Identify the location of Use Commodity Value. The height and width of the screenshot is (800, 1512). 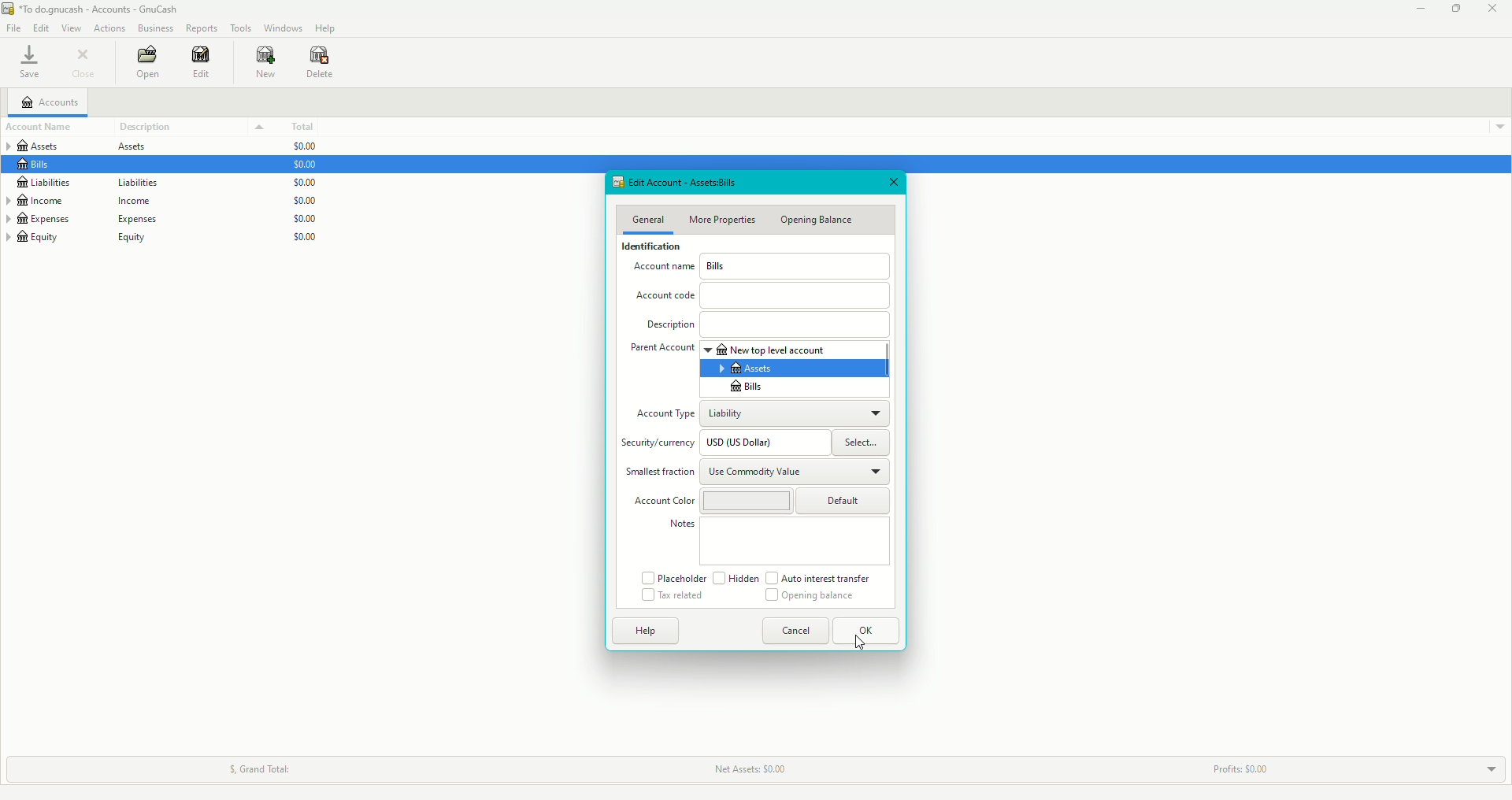
(795, 470).